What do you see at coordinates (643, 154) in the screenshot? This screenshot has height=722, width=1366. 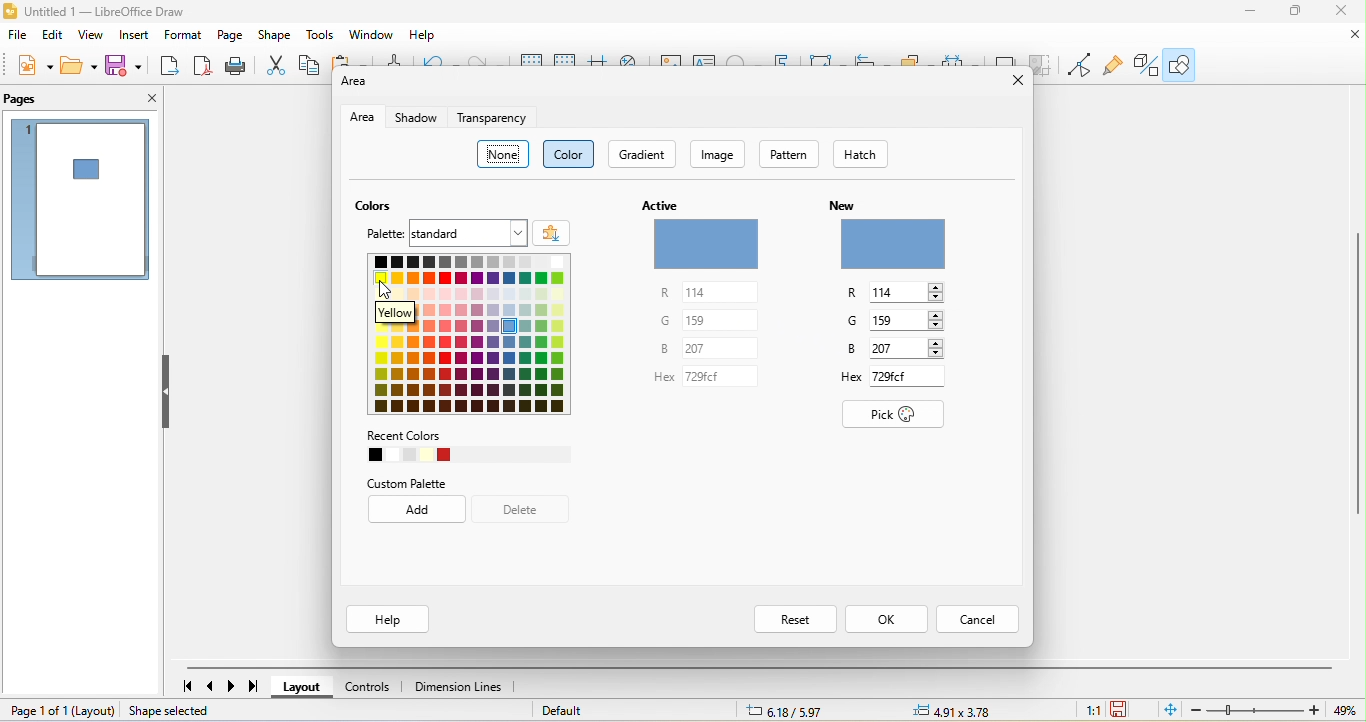 I see `gradient` at bounding box center [643, 154].